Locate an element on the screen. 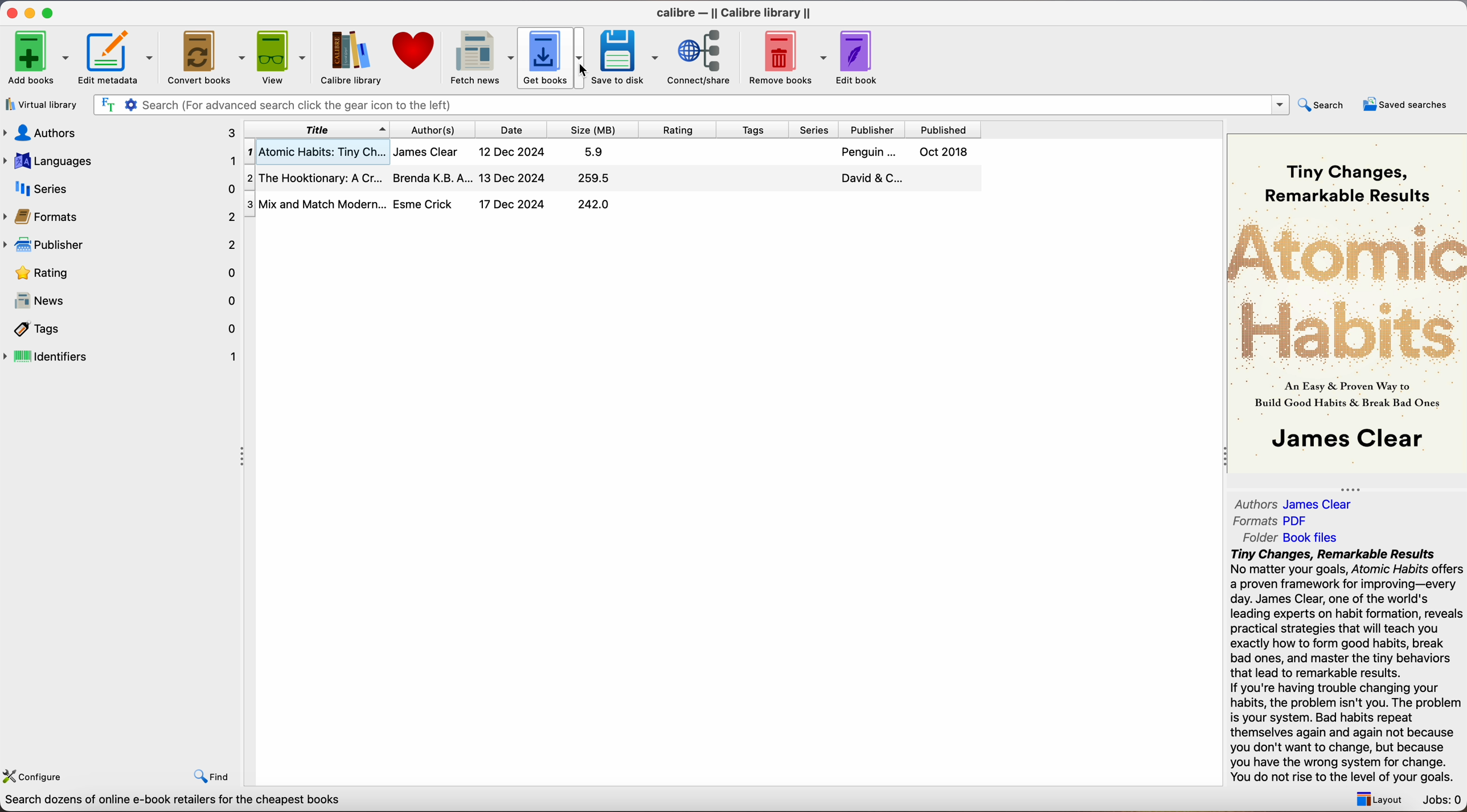  authors is located at coordinates (118, 132).